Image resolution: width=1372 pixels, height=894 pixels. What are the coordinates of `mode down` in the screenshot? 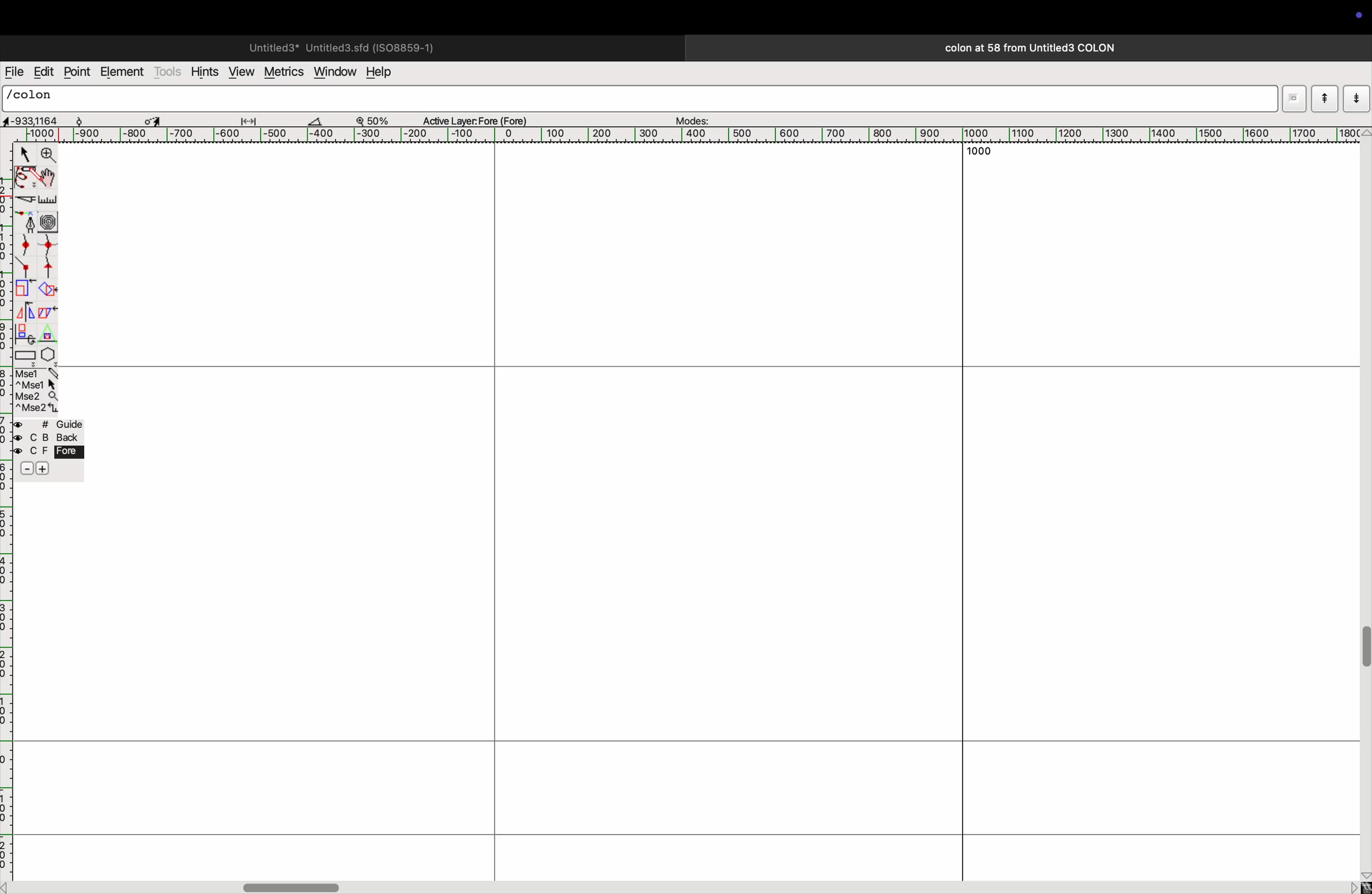 It's located at (1356, 97).